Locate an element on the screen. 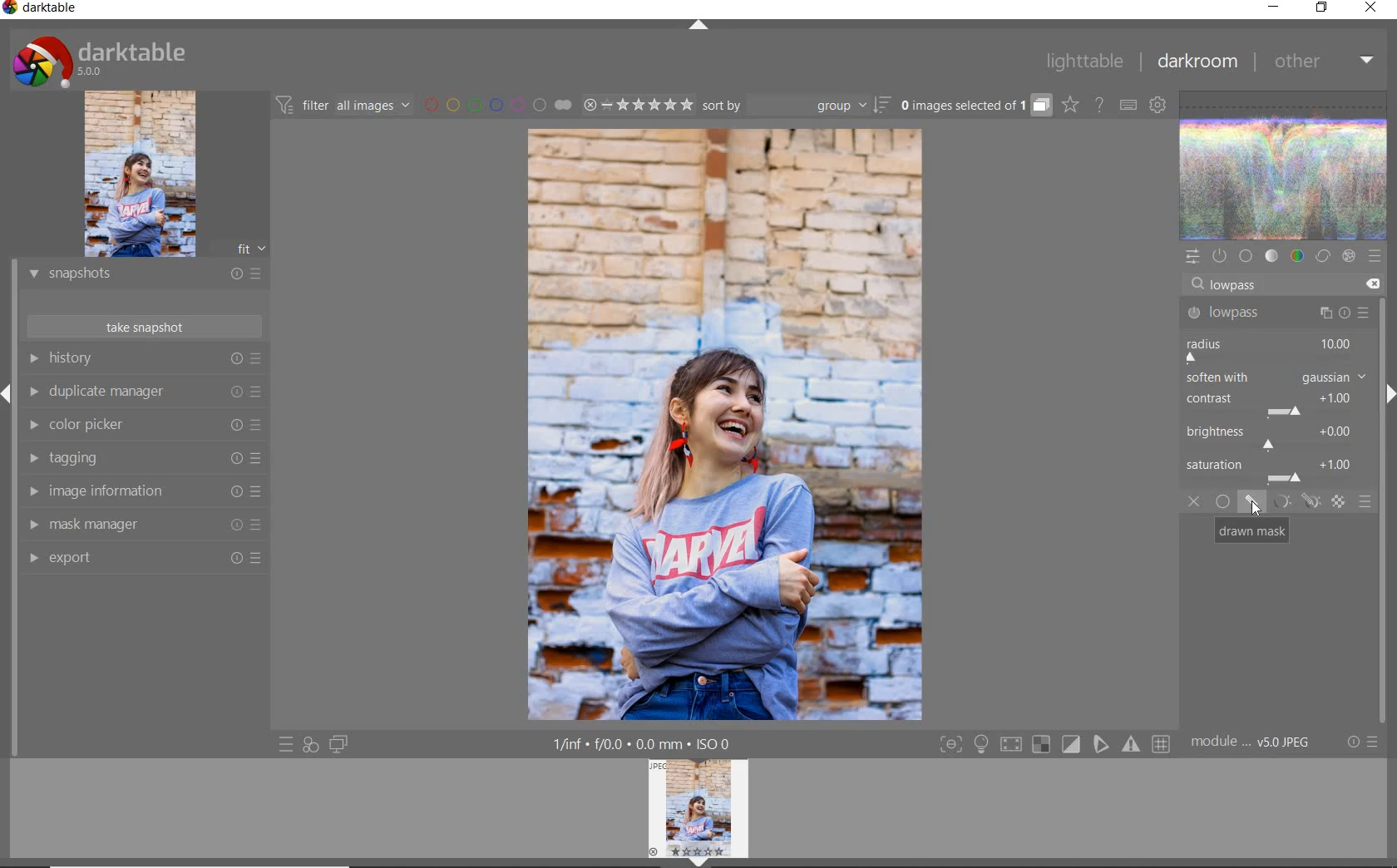 Image resolution: width=1397 pixels, height=868 pixels. range ratings for selected images is located at coordinates (638, 104).